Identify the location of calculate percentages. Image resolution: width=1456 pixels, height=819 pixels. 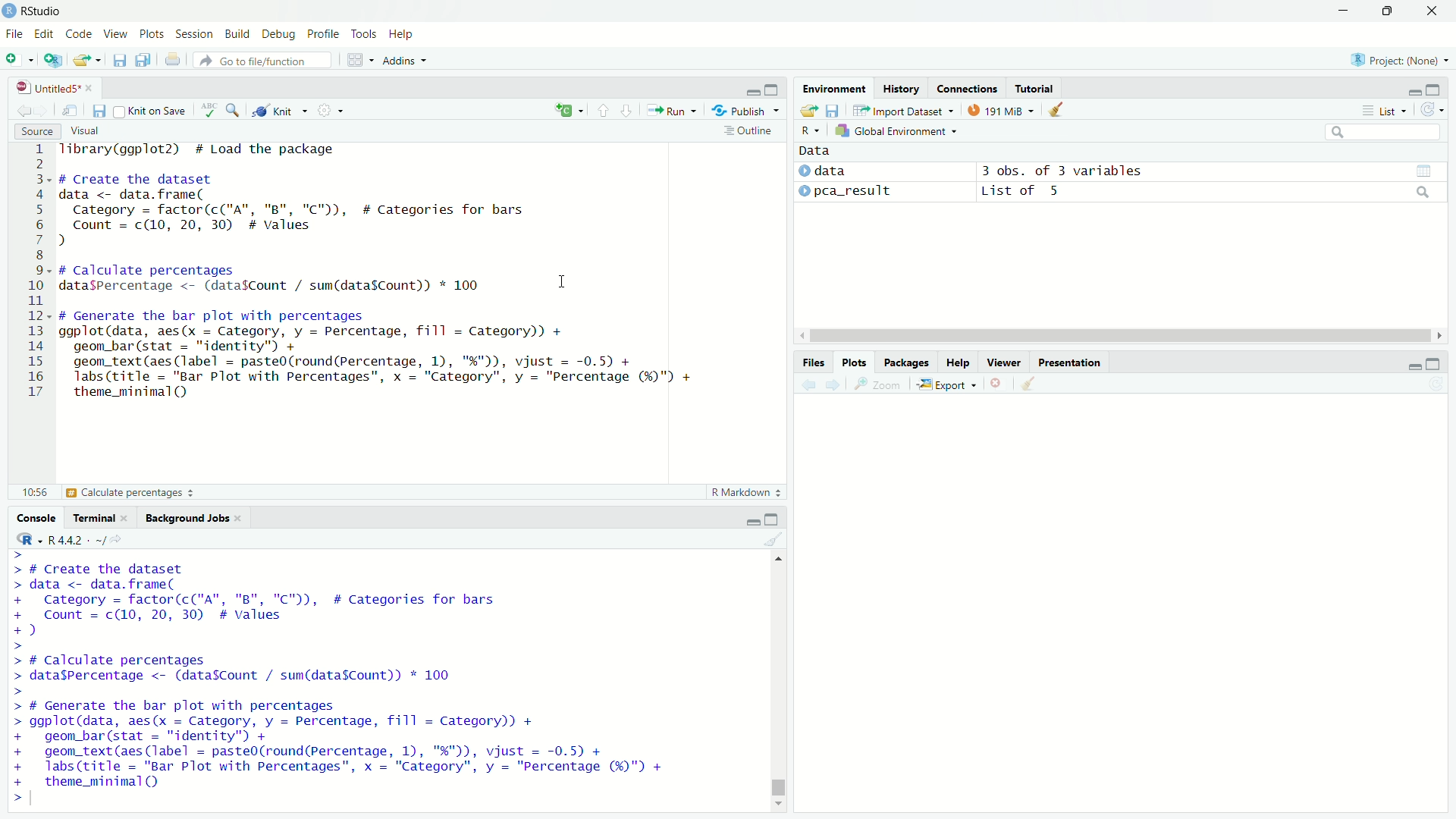
(107, 492).